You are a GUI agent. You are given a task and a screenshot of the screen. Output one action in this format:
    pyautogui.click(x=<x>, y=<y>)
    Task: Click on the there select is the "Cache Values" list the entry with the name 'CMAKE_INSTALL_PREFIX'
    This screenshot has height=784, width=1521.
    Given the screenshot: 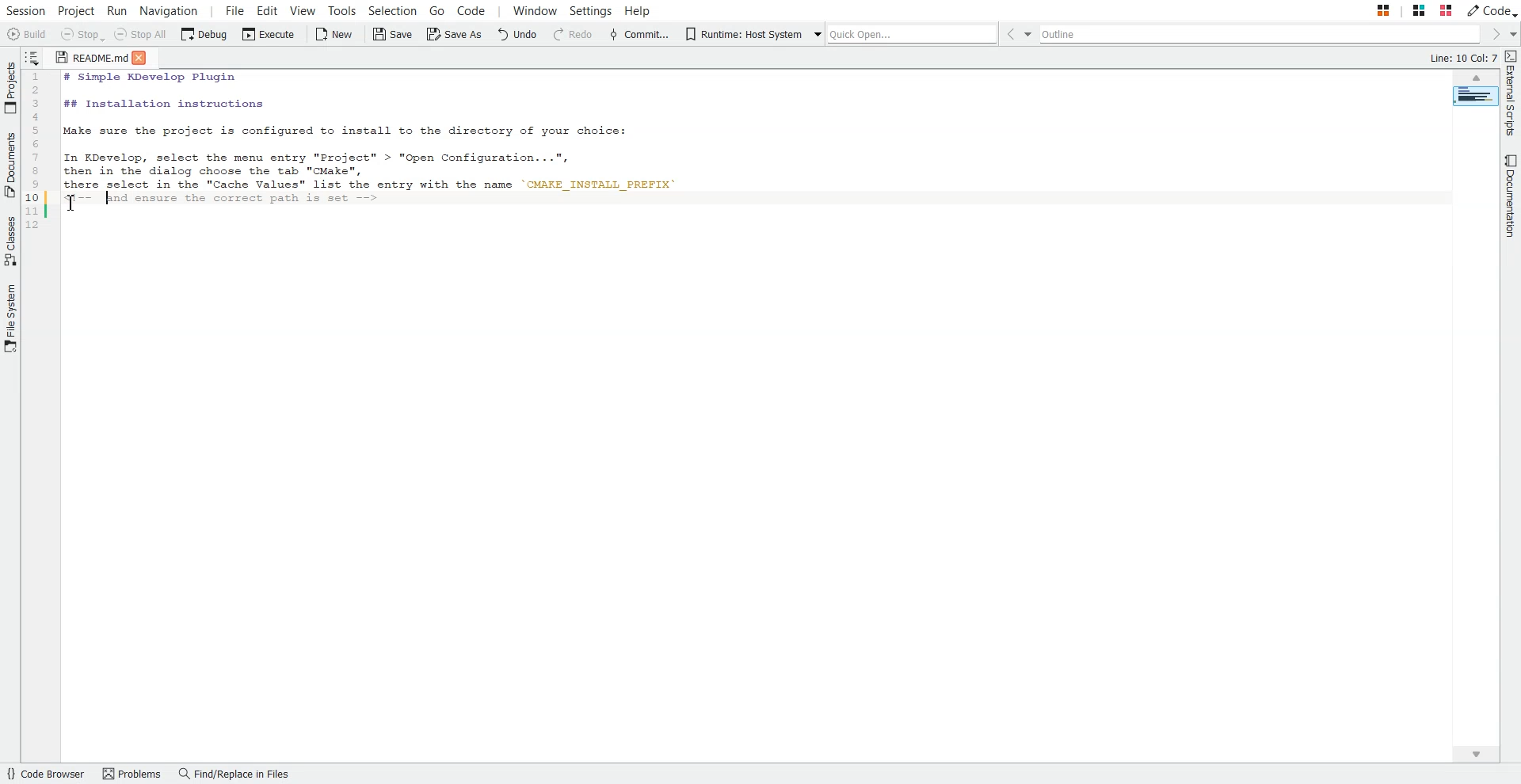 What is the action you would take?
    pyautogui.click(x=383, y=186)
    